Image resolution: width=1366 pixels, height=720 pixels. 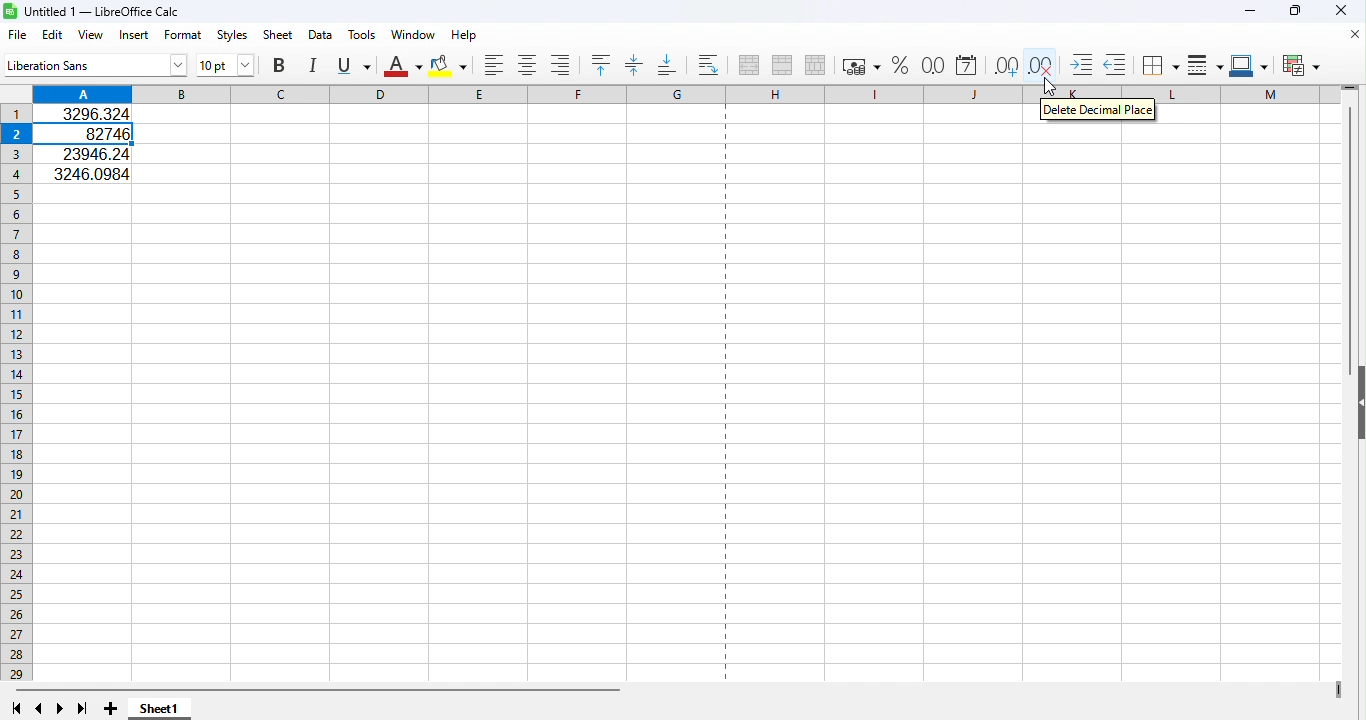 What do you see at coordinates (90, 35) in the screenshot?
I see `View` at bounding box center [90, 35].